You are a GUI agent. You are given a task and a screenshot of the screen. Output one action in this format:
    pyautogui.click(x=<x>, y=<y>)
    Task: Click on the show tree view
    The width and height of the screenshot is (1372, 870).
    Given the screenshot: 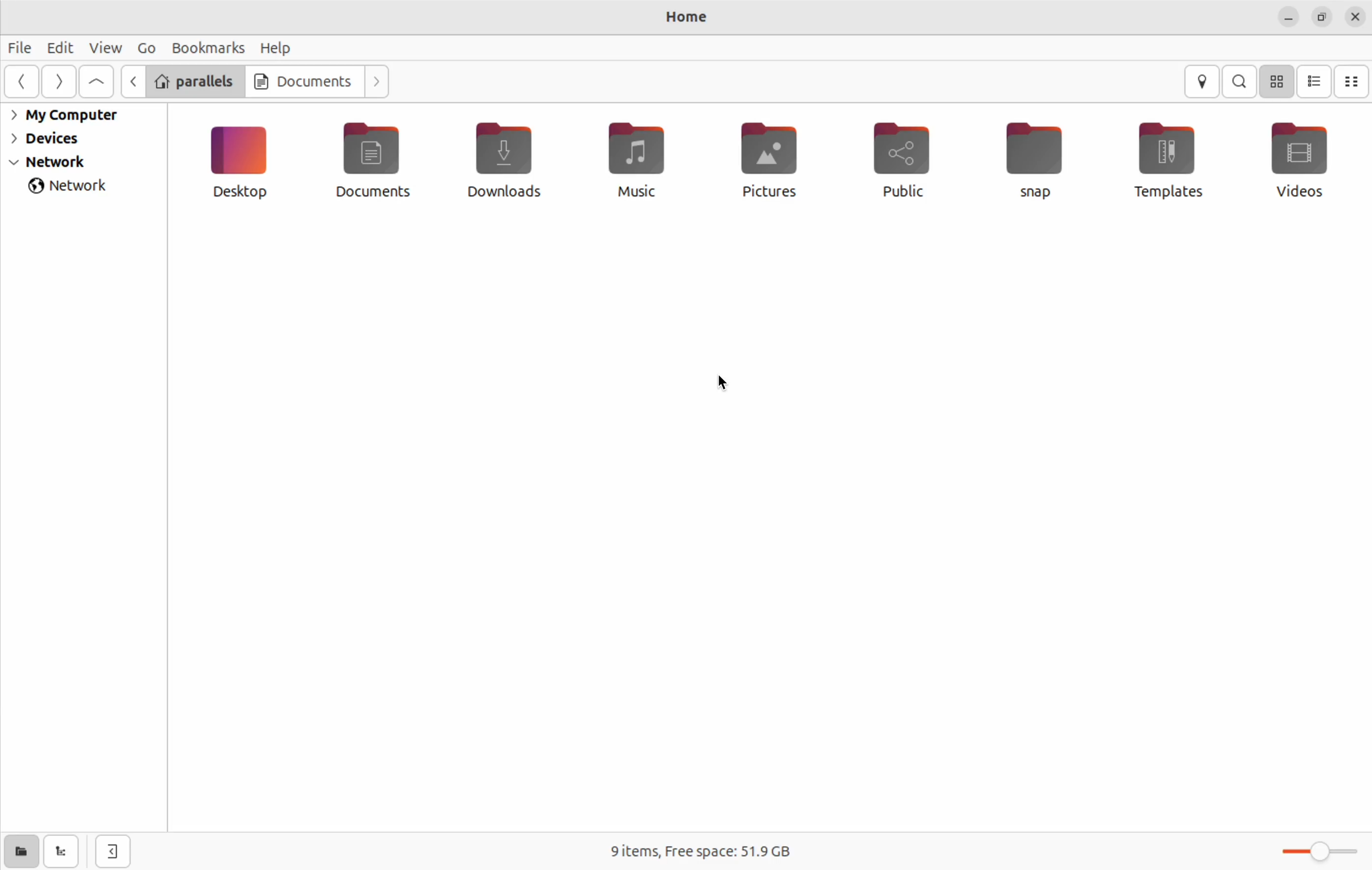 What is the action you would take?
    pyautogui.click(x=60, y=852)
    